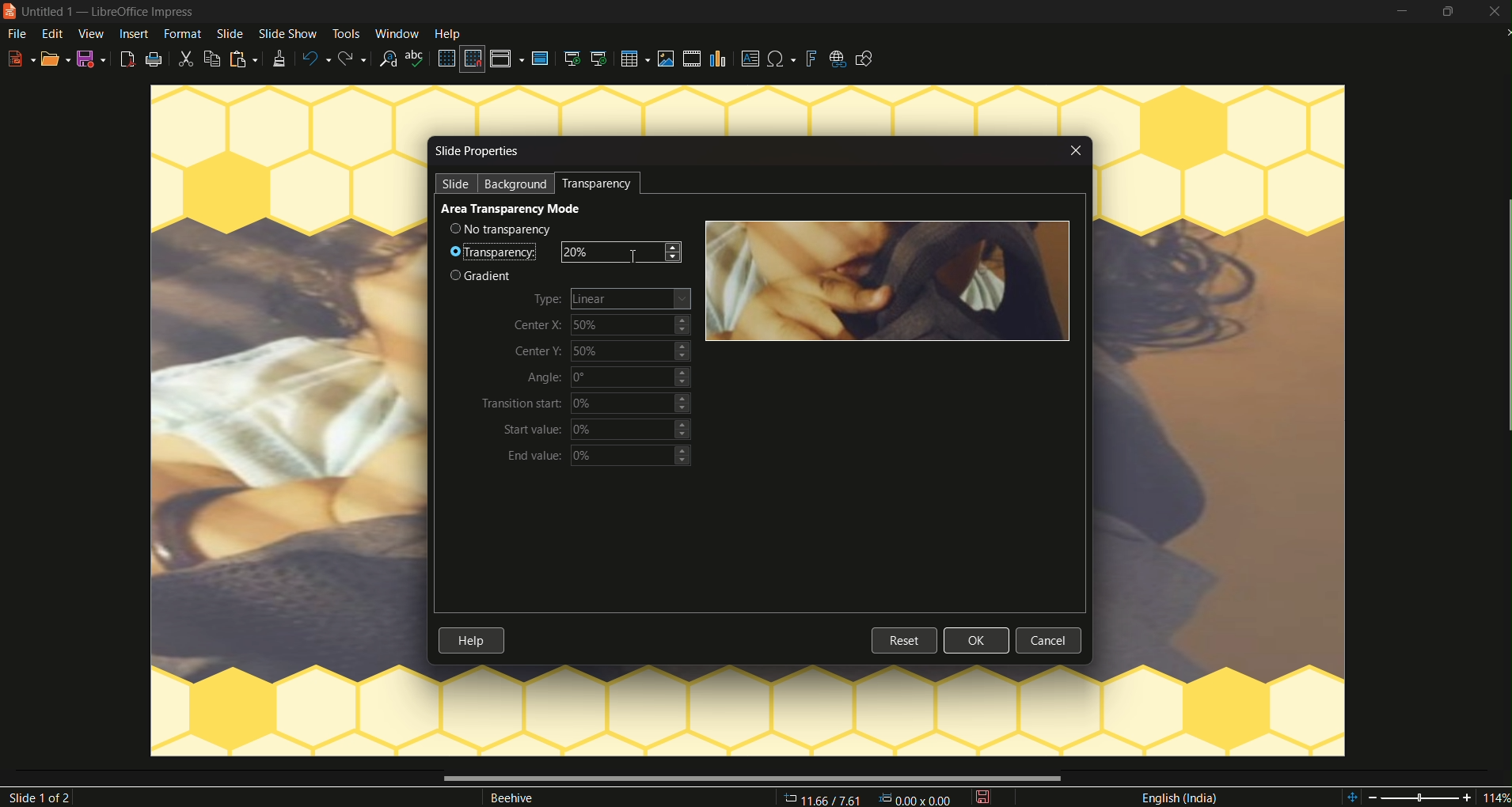 The image size is (1512, 807). Describe the element at coordinates (984, 798) in the screenshot. I see `save` at that location.